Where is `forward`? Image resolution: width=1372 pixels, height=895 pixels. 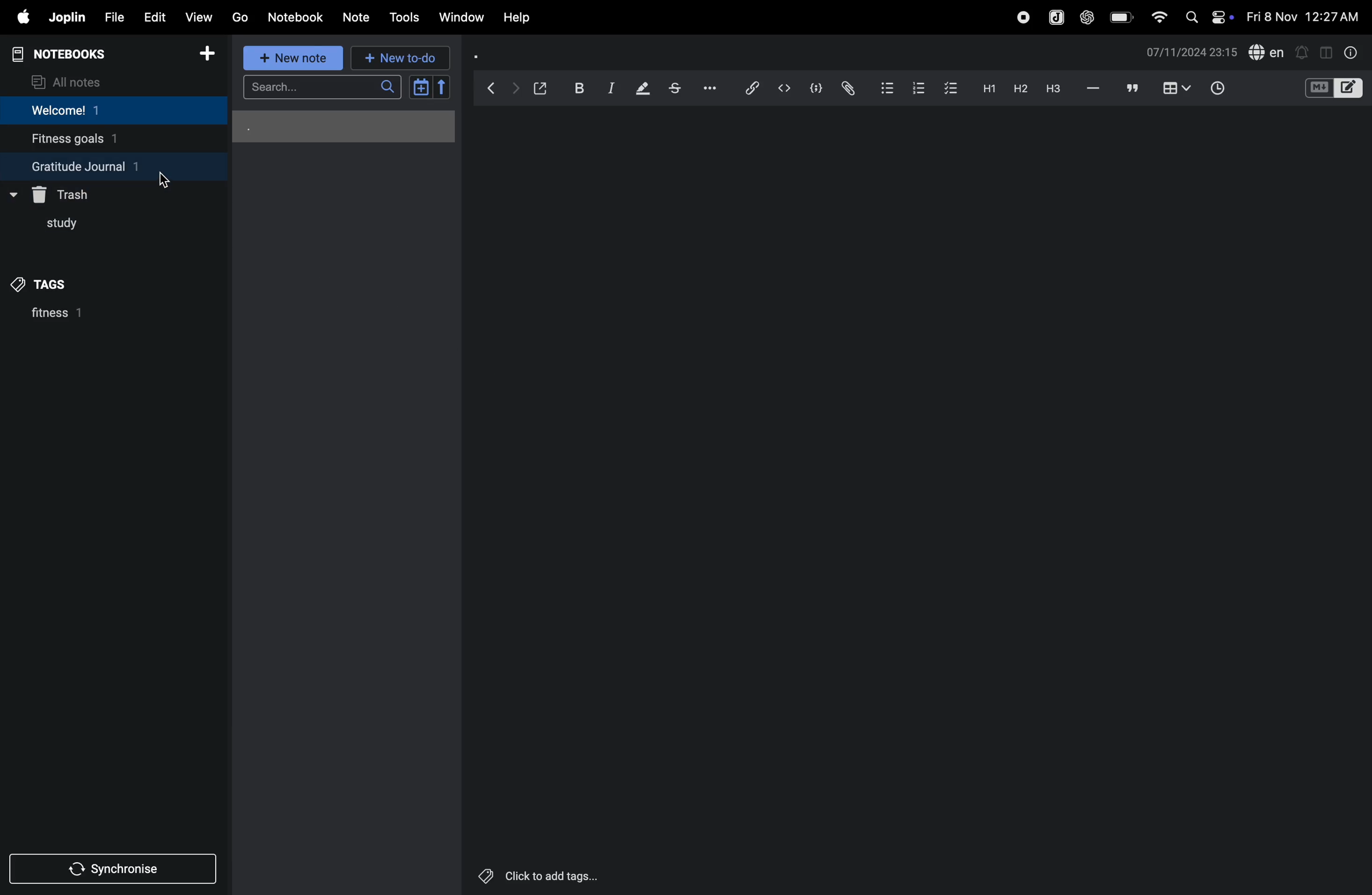 forward is located at coordinates (515, 89).